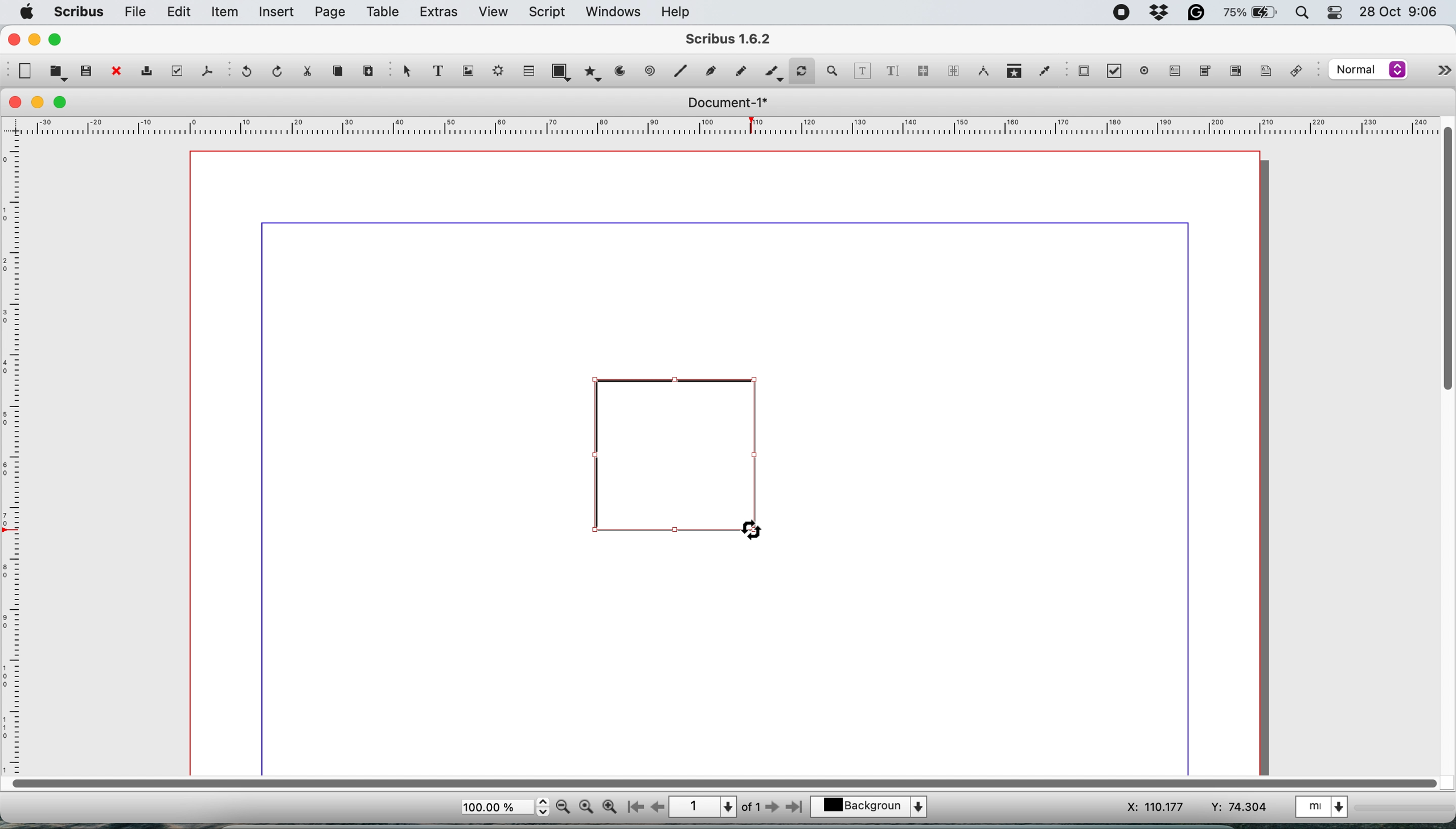  Describe the element at coordinates (863, 71) in the screenshot. I see `edit contents of frame` at that location.